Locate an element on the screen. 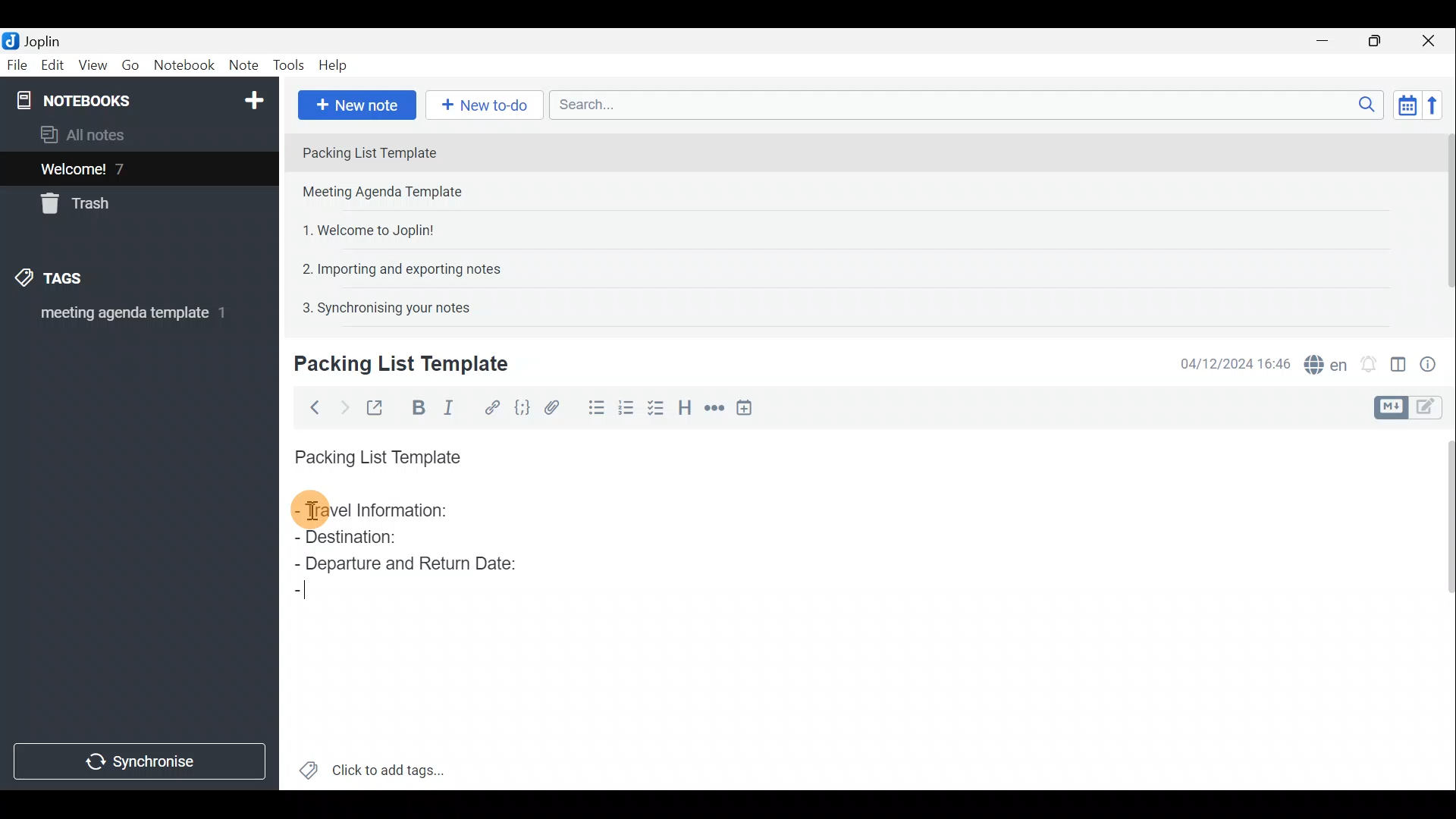 This screenshot has height=819, width=1456. Hyperlink is located at coordinates (489, 406).